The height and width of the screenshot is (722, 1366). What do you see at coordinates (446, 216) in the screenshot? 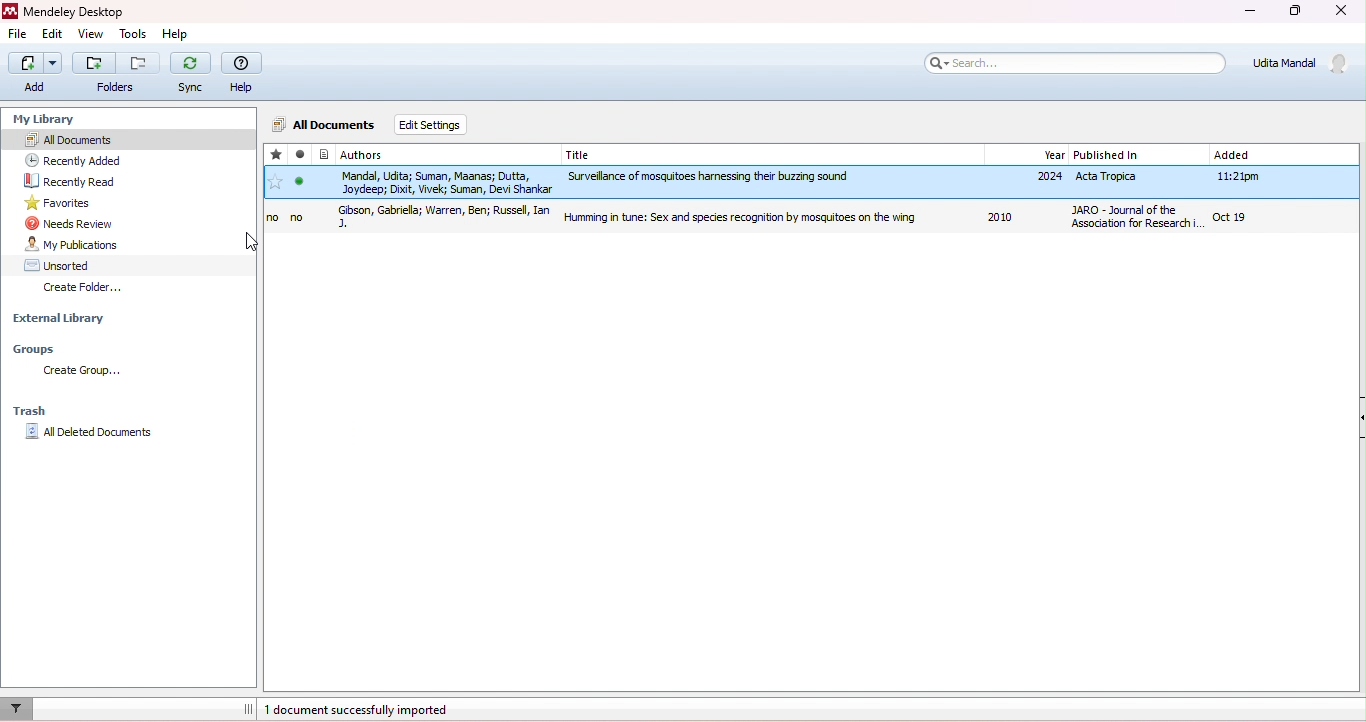
I see `Gibson, Gabriella Warren, Ben Russell, Ian J.` at bounding box center [446, 216].